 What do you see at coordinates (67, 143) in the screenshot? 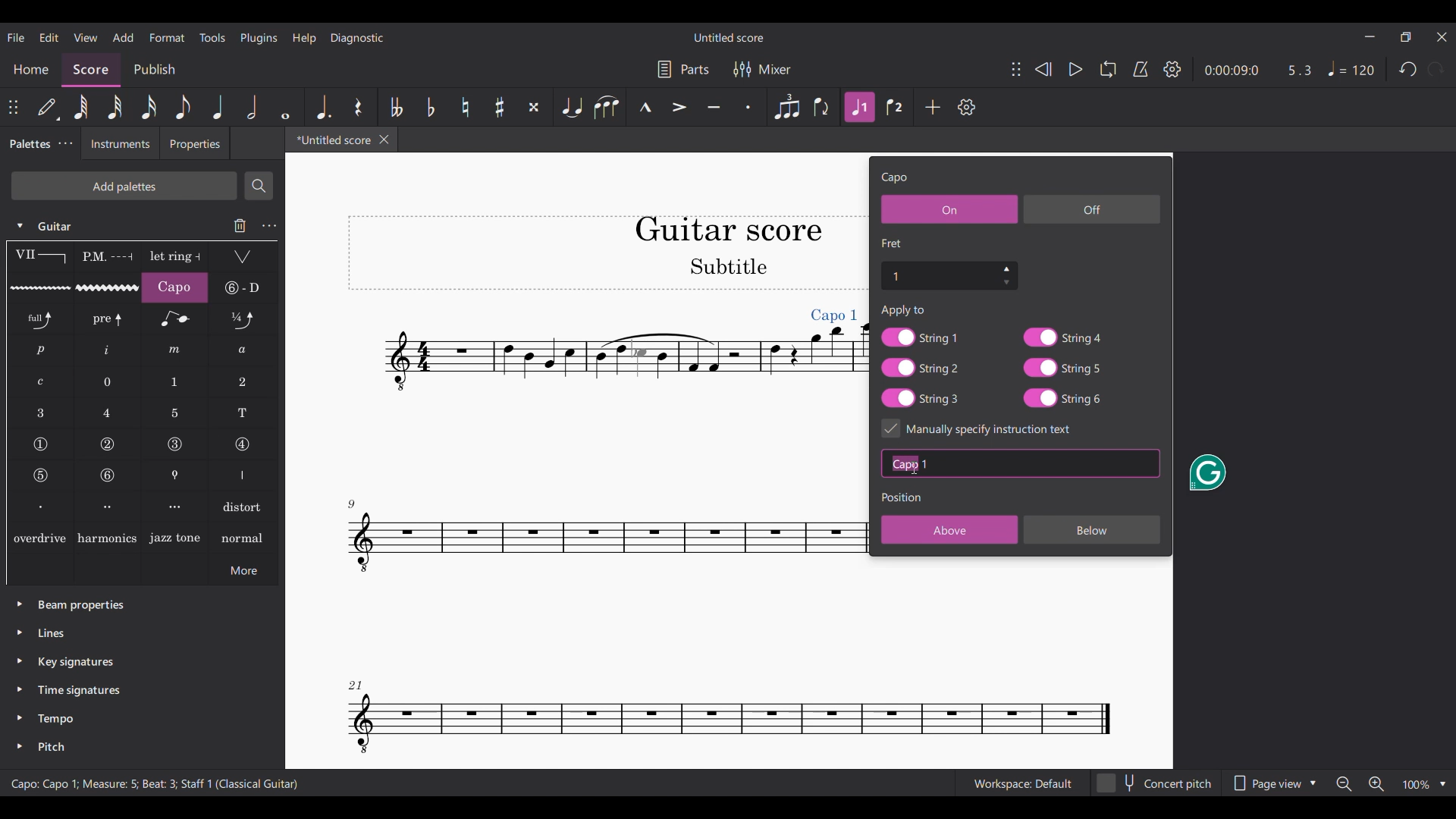
I see `Palette tab settings` at bounding box center [67, 143].